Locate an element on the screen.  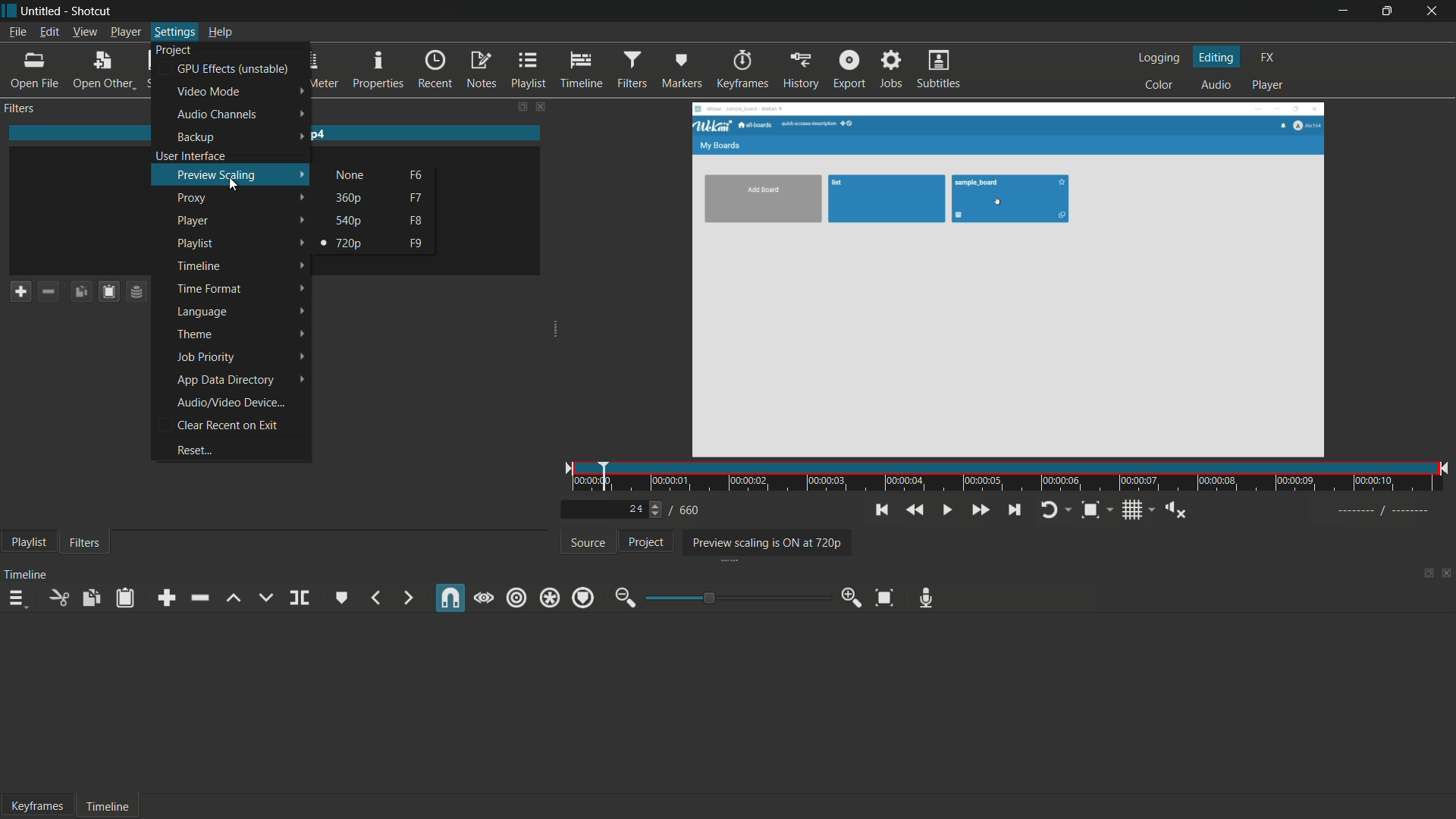
create or edit marker is located at coordinates (340, 597).